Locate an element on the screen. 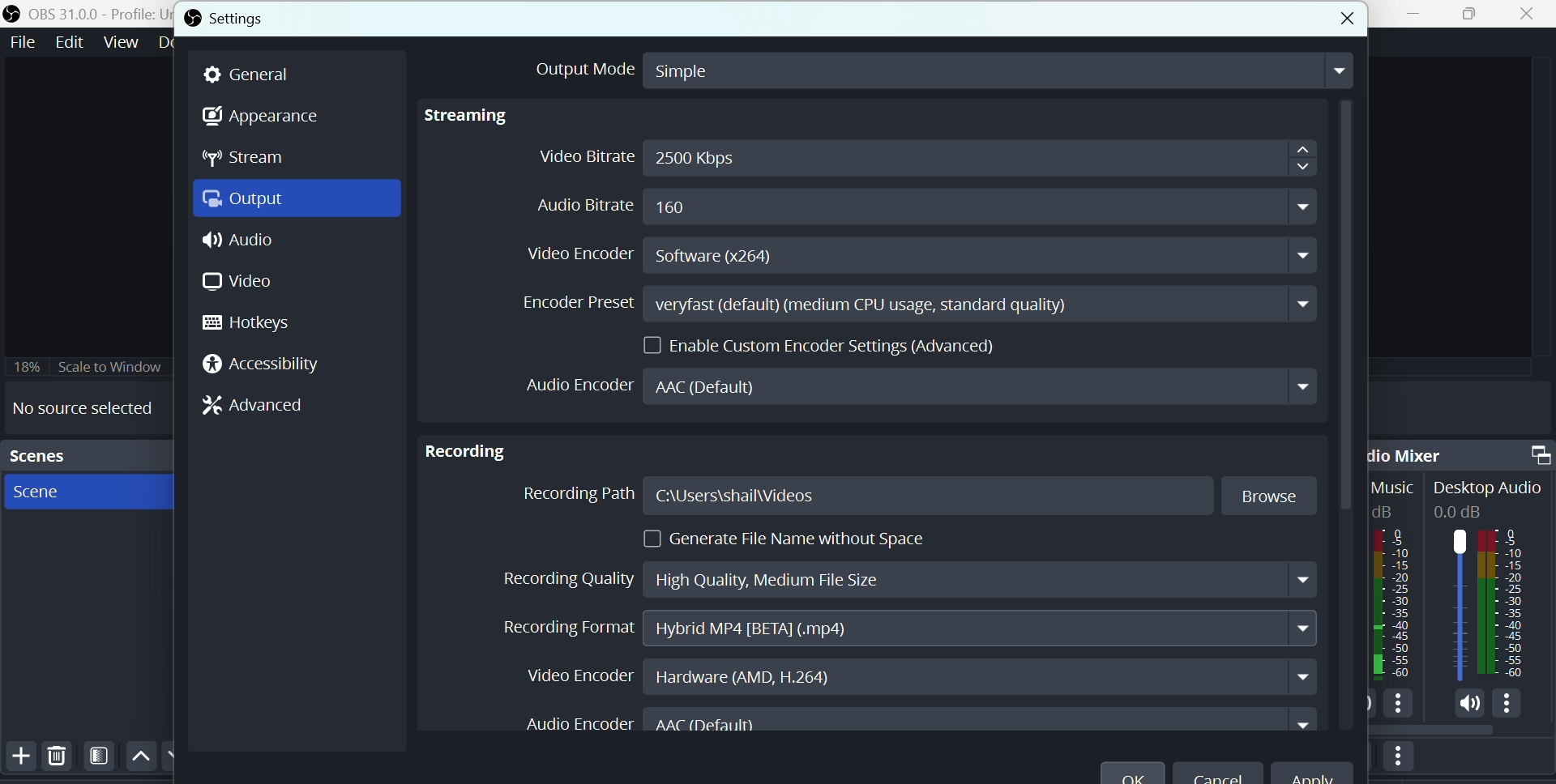 The image size is (1556, 784). file is located at coordinates (21, 47).